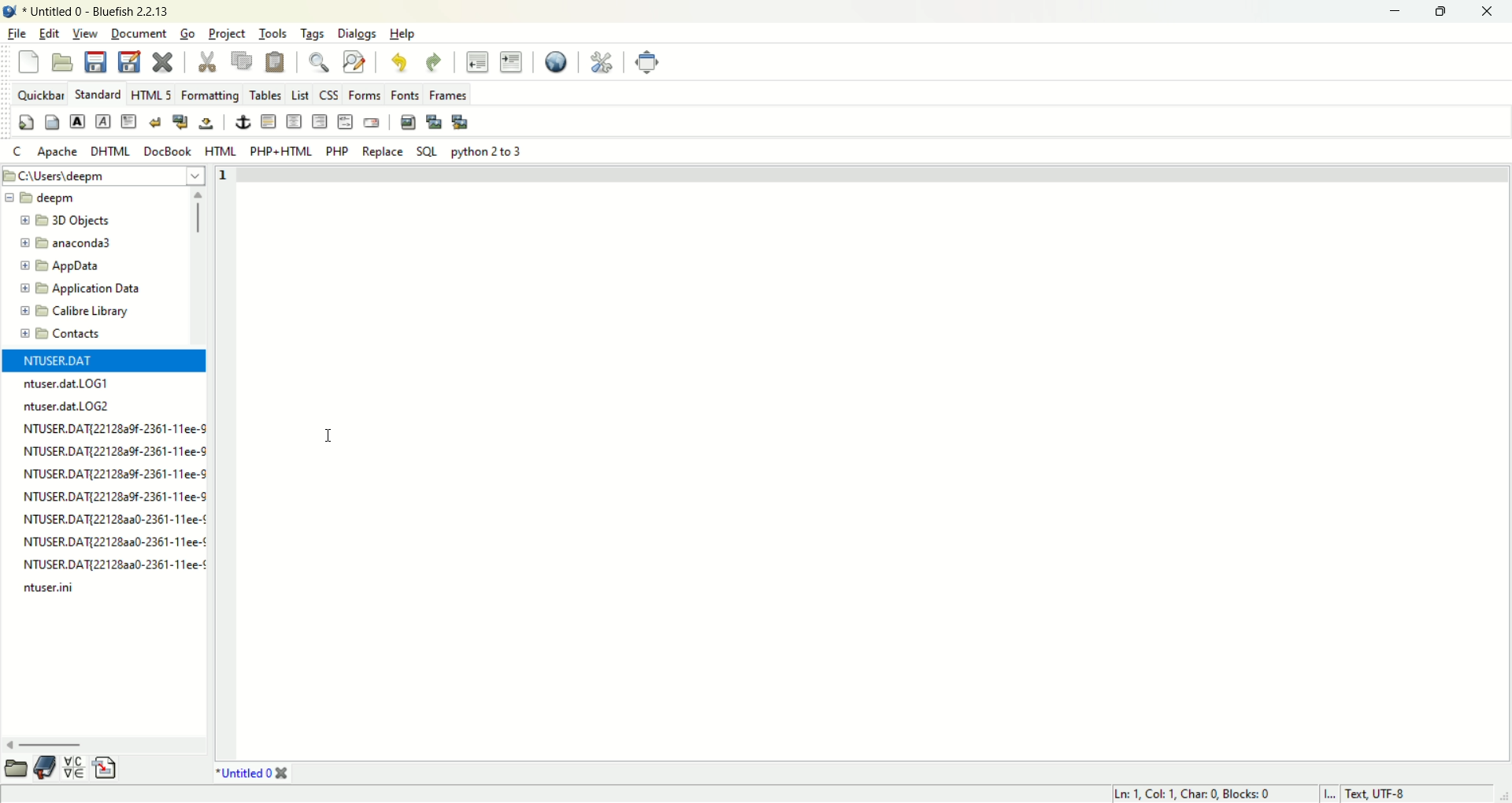 This screenshot has width=1512, height=803. What do you see at coordinates (67, 405) in the screenshot?
I see `ntuser.dat.LOG2` at bounding box center [67, 405].